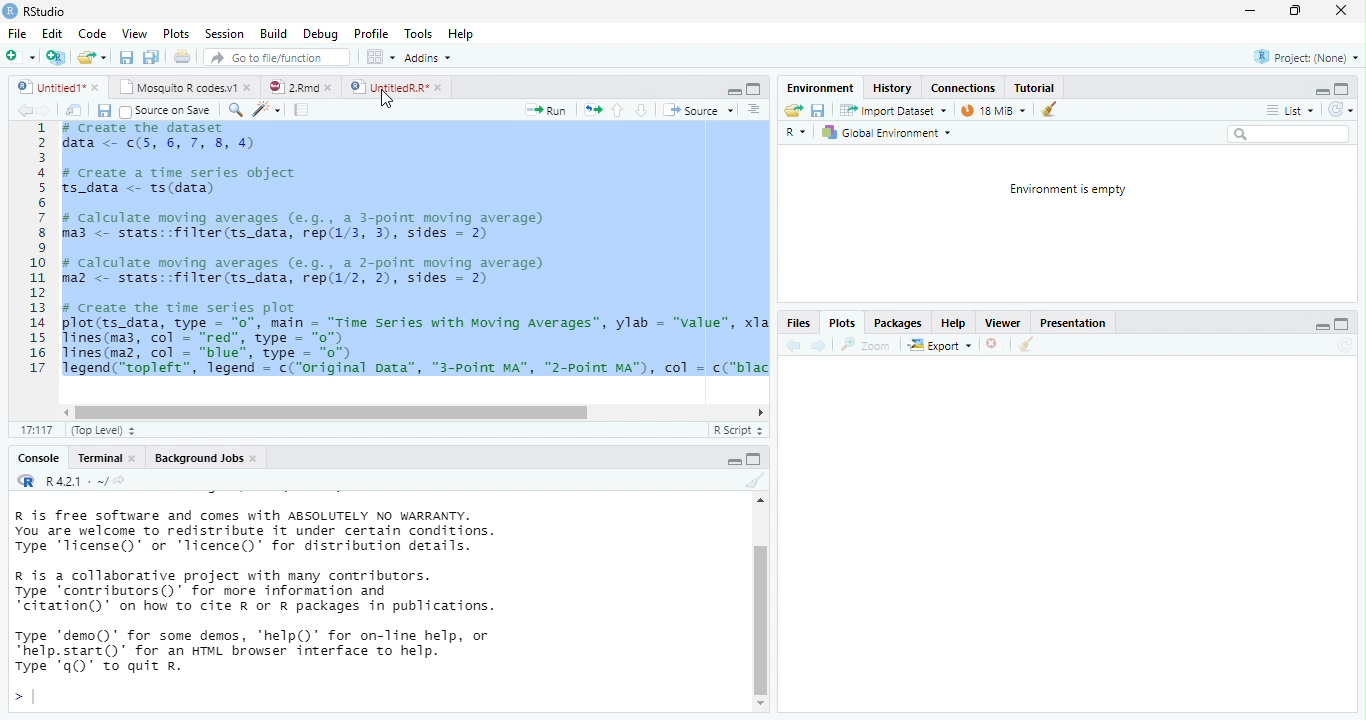 Image resolution: width=1366 pixels, height=720 pixels. I want to click on down, so click(641, 110).